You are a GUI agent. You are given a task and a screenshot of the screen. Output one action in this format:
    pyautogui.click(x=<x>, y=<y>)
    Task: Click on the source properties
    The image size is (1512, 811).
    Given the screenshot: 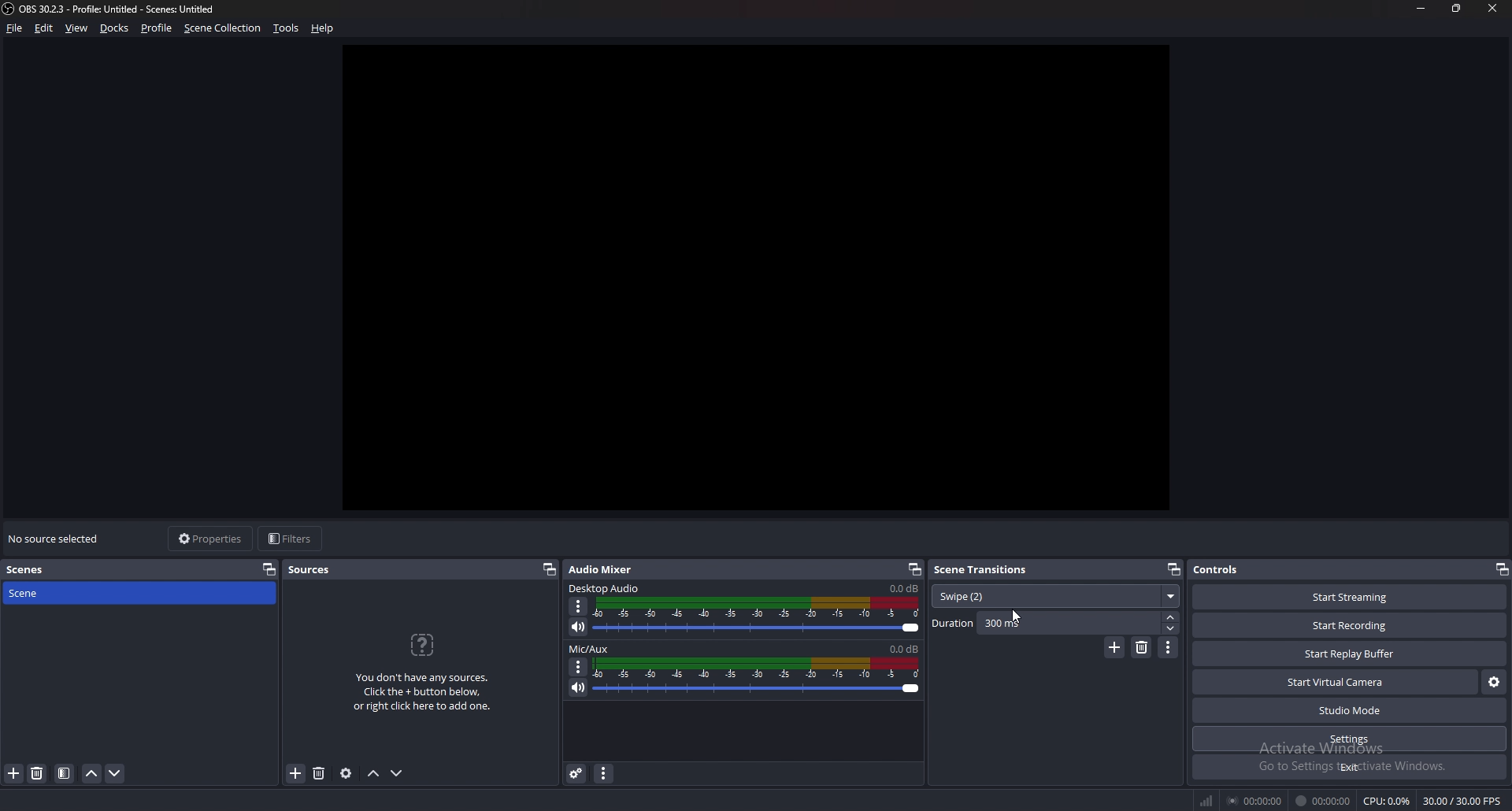 What is the action you would take?
    pyautogui.click(x=346, y=772)
    